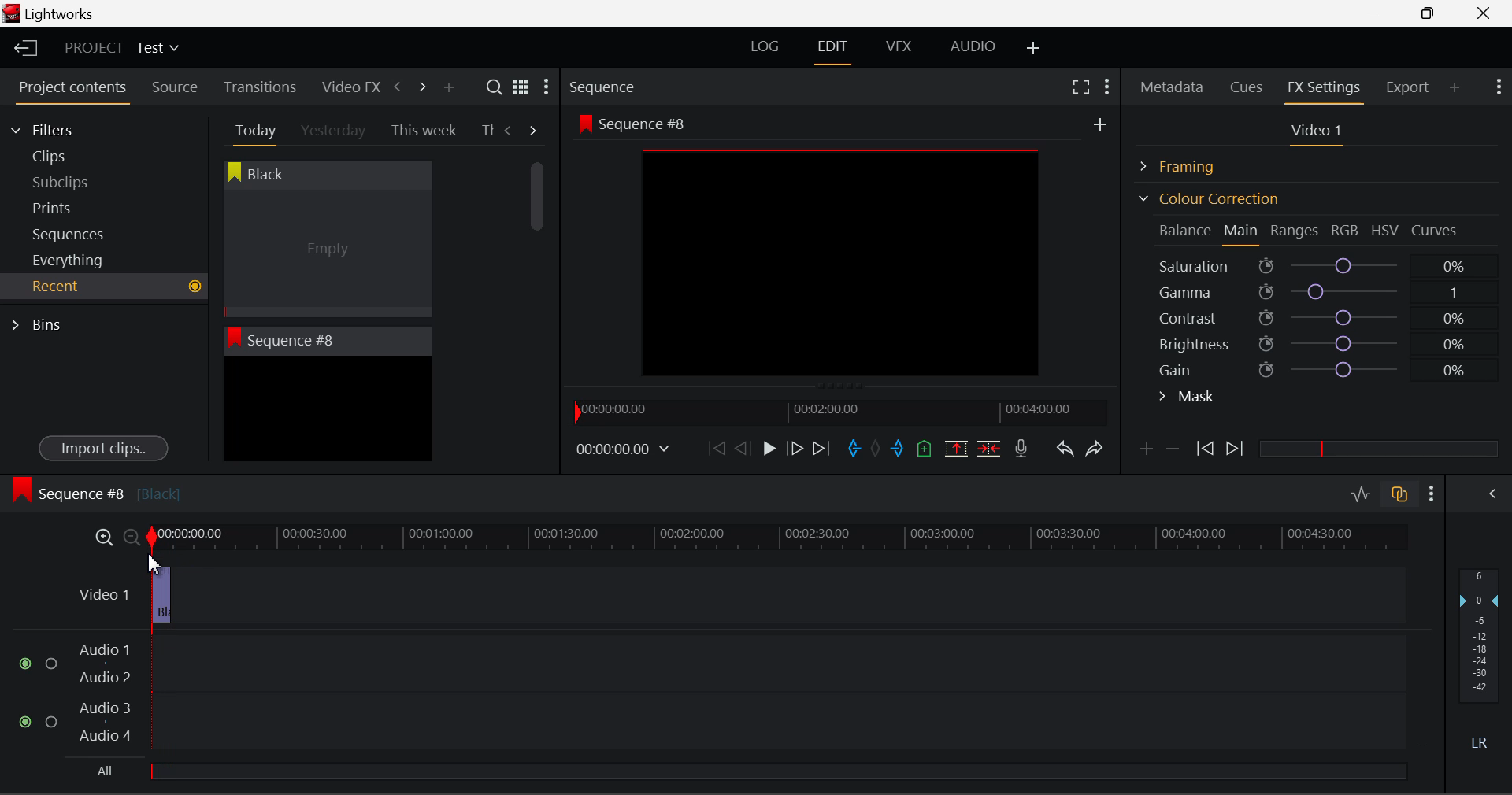 The image size is (1512, 795). I want to click on Gamma, so click(1320, 292).